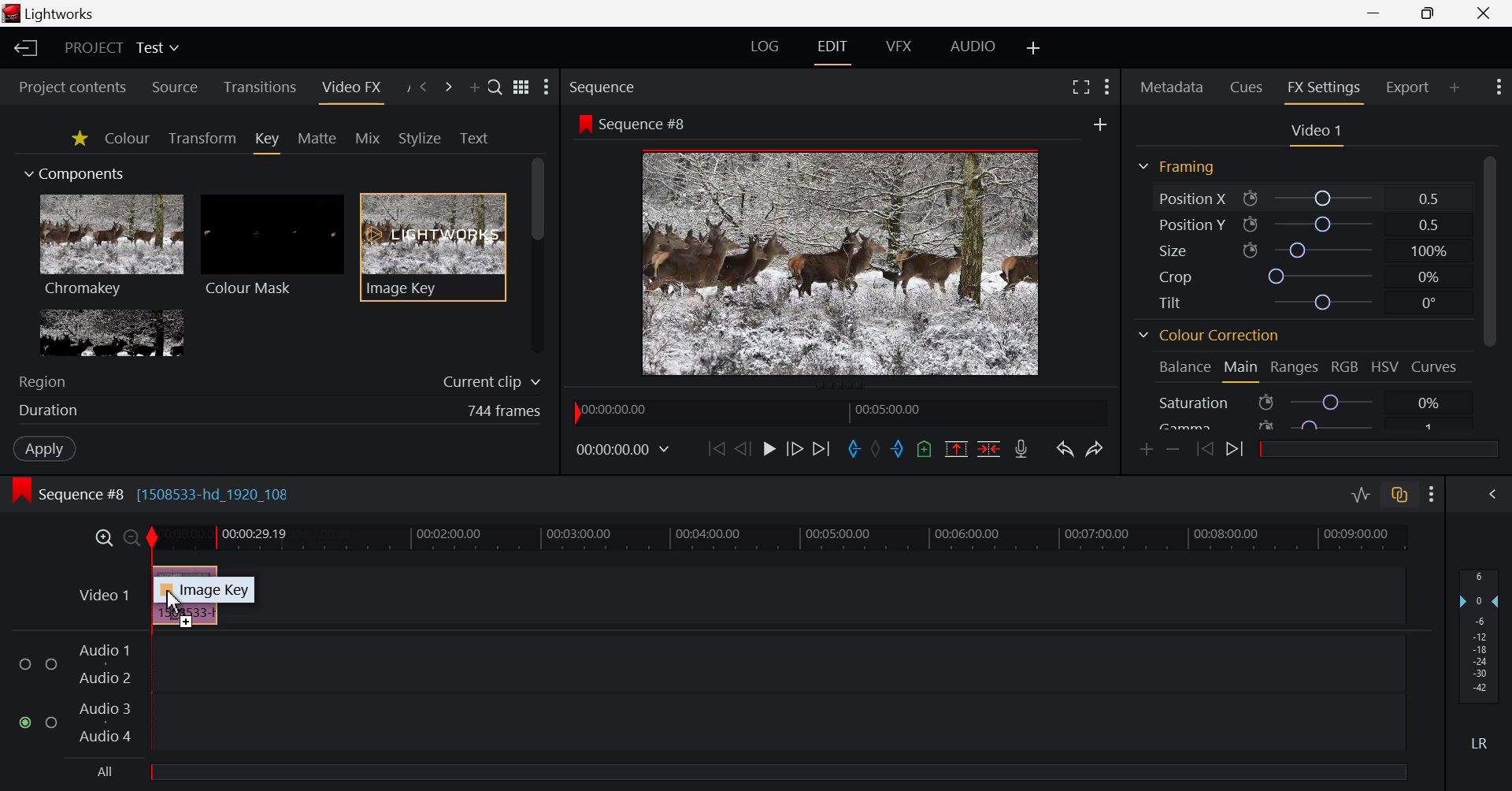 This screenshot has width=1512, height=791. I want to click on Region, so click(44, 383).